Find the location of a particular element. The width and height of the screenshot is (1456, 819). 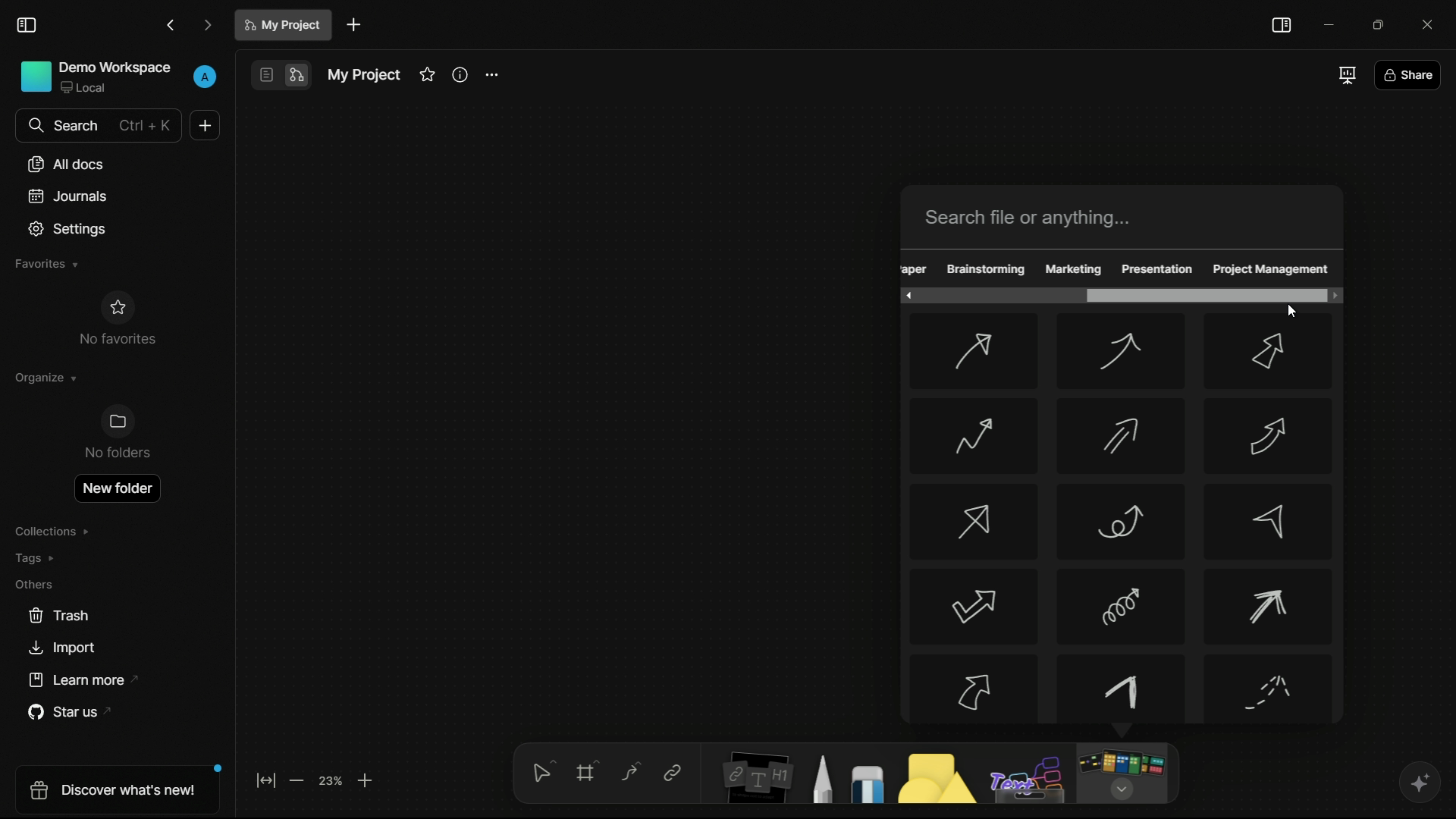

new document is located at coordinates (354, 25).